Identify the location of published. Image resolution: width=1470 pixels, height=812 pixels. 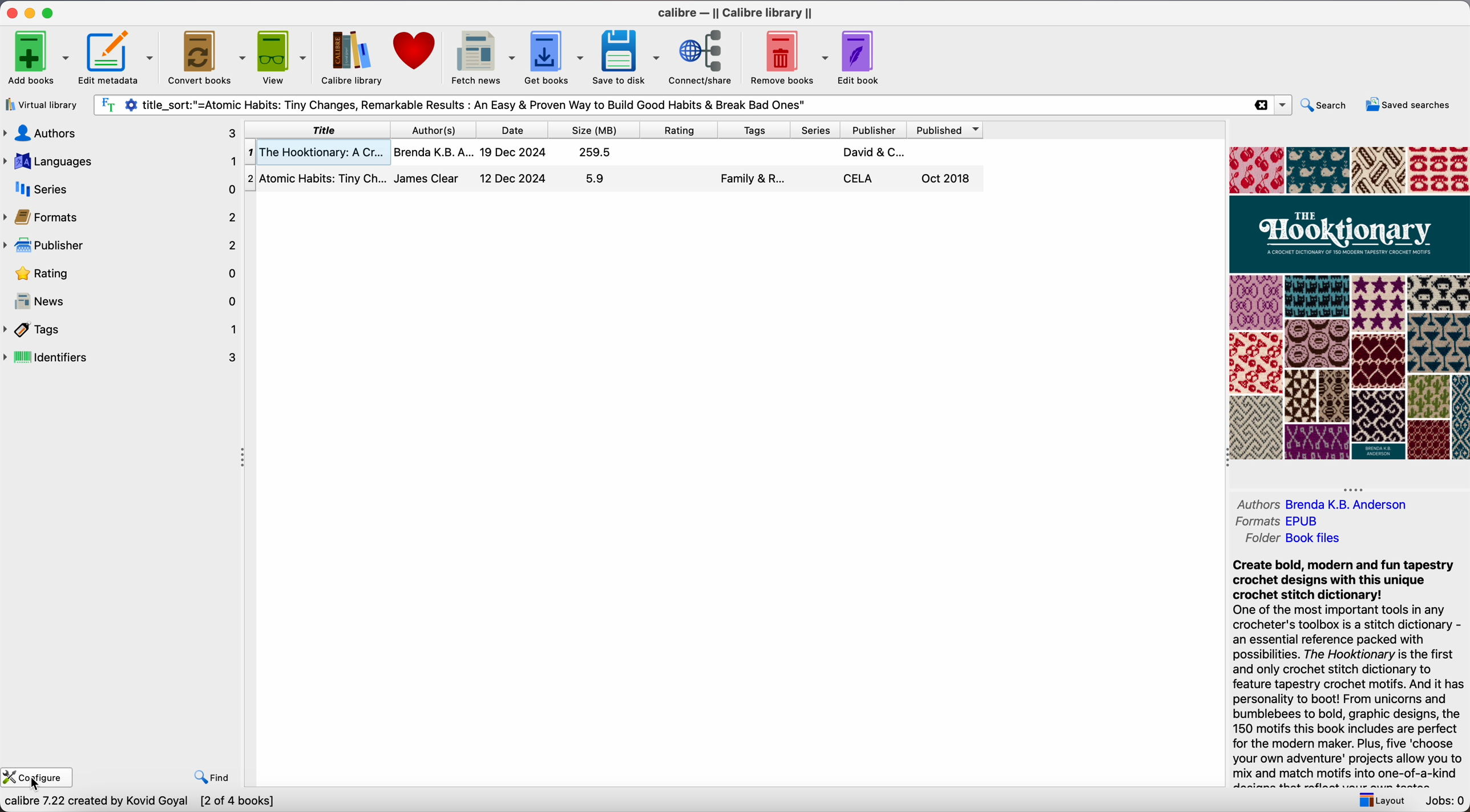
(949, 130).